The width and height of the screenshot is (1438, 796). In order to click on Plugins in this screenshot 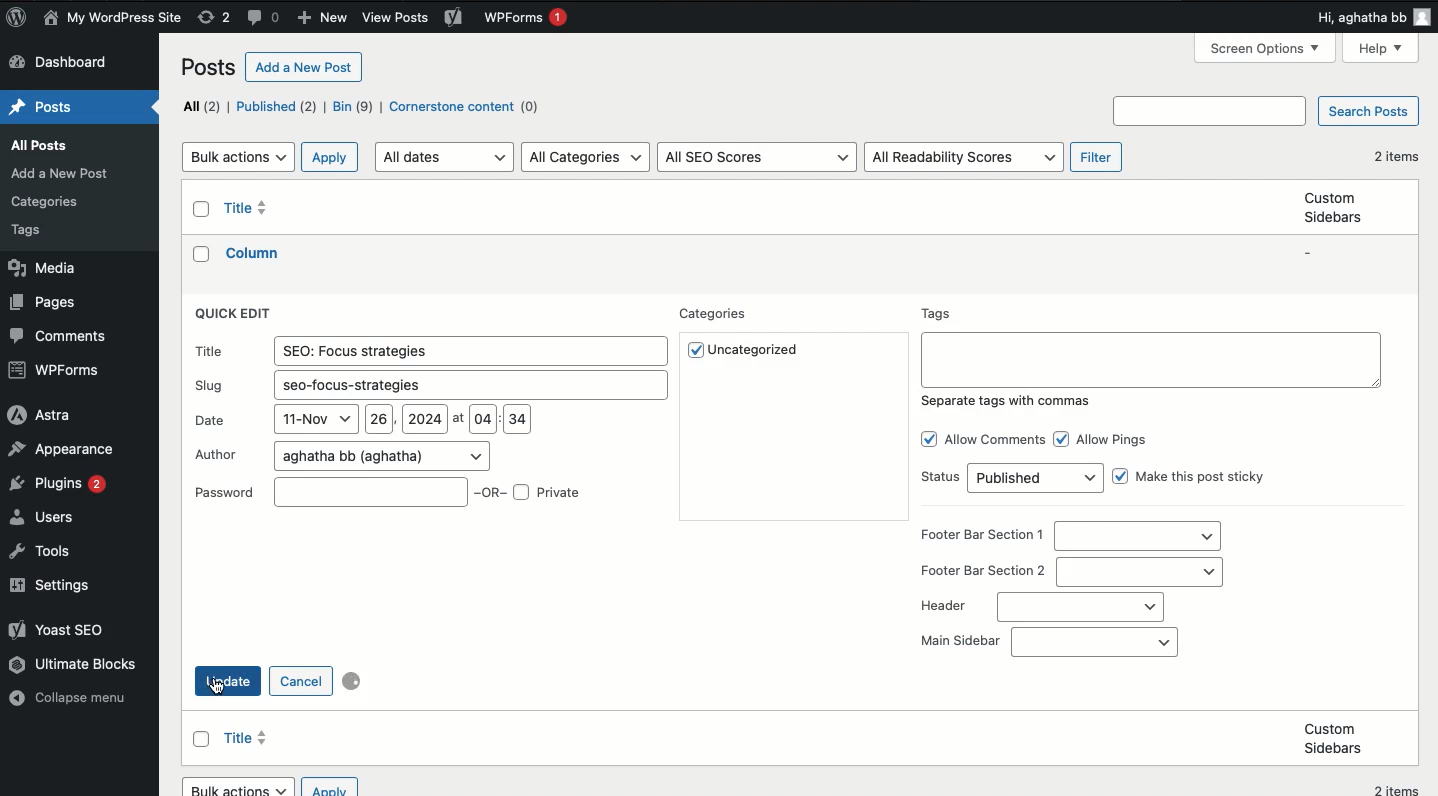, I will do `click(56, 483)`.